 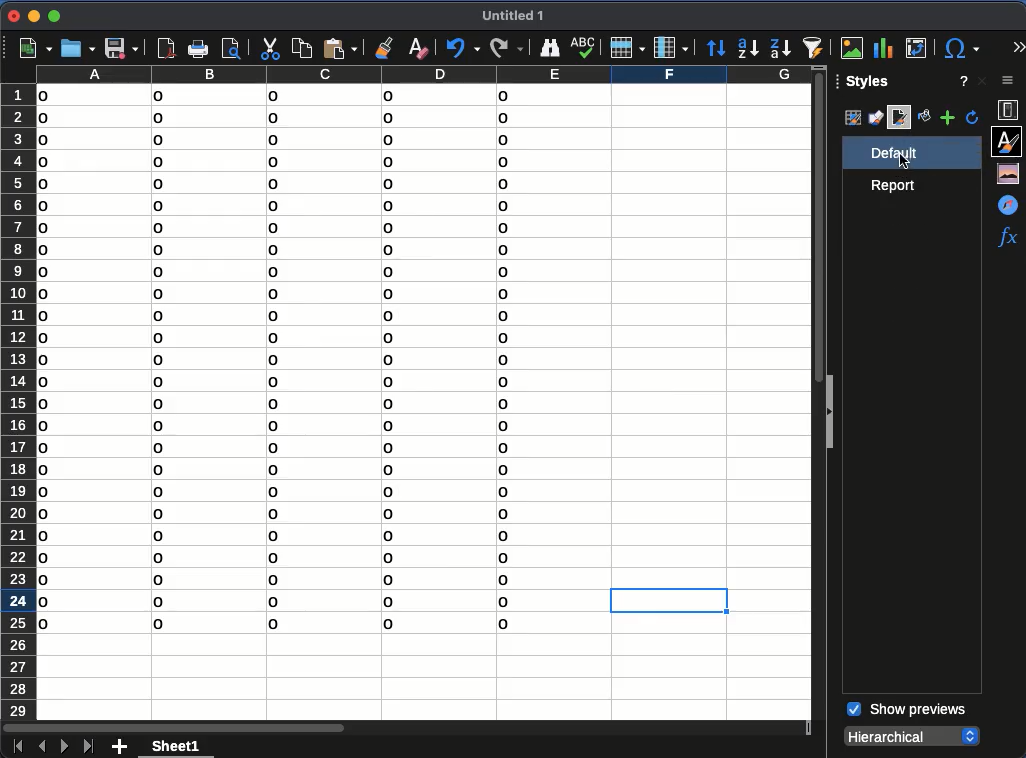 I want to click on gallery, so click(x=1011, y=174).